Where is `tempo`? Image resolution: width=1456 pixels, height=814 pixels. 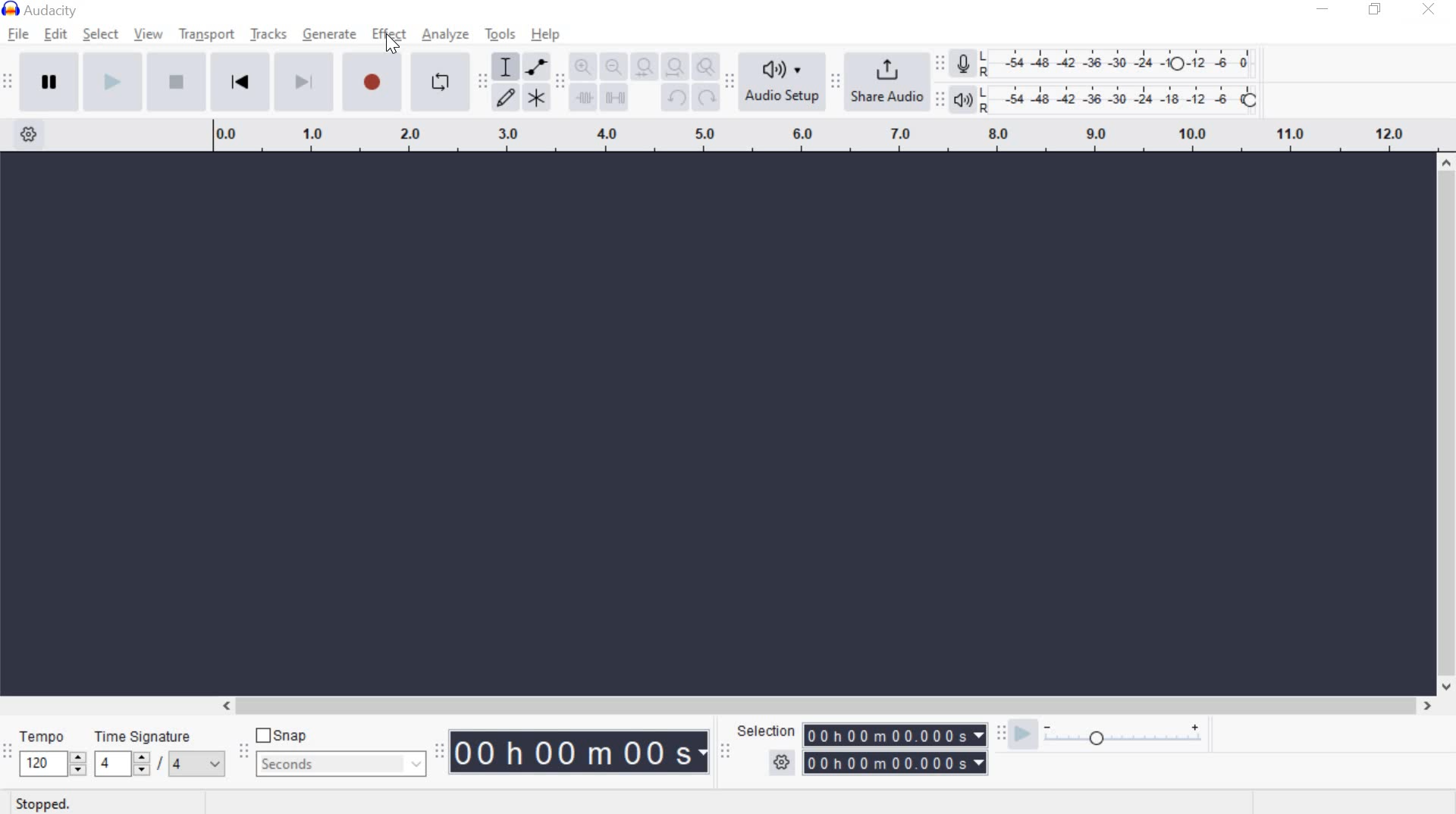
tempo is located at coordinates (52, 753).